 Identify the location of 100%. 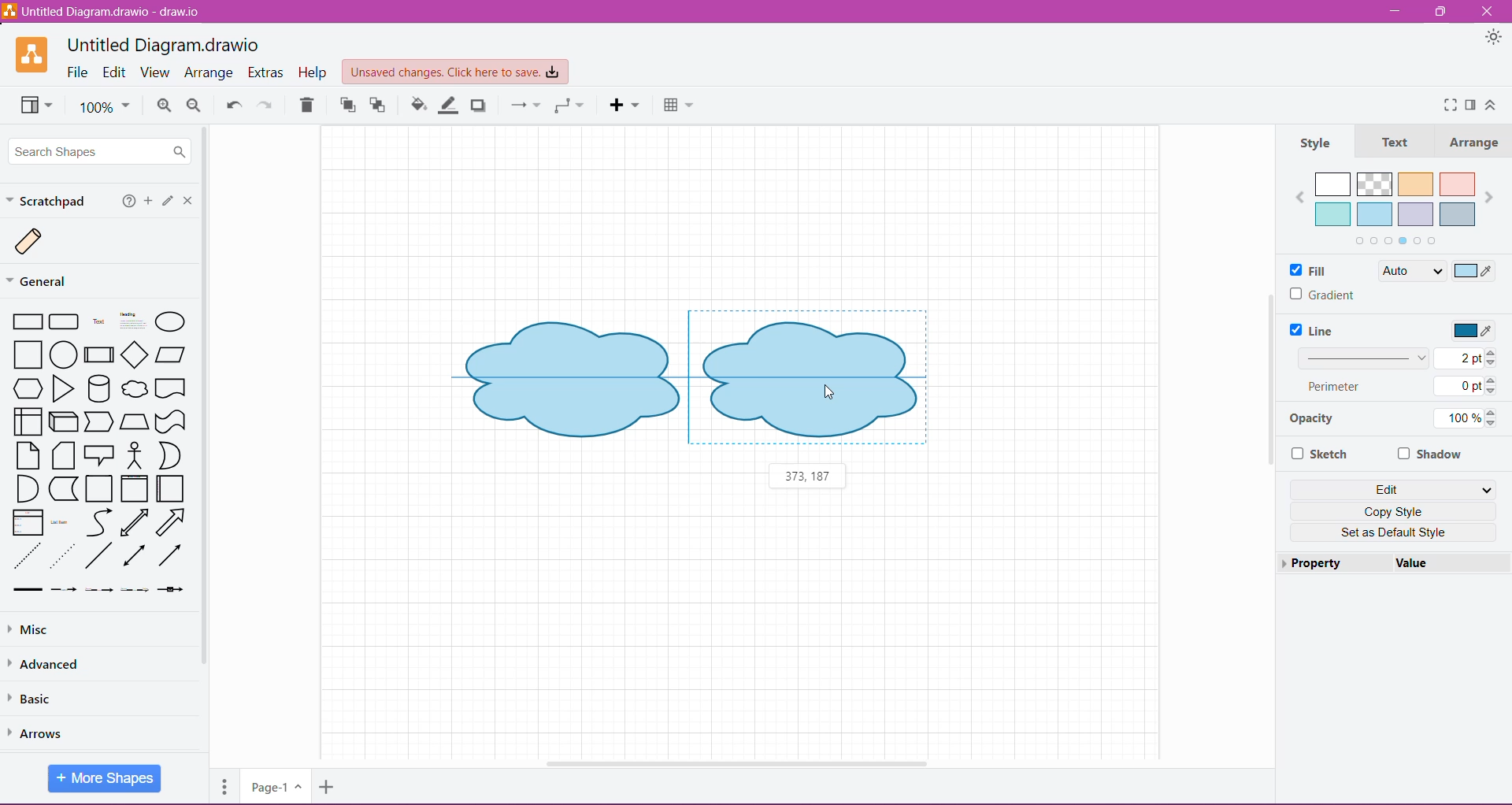
(105, 108).